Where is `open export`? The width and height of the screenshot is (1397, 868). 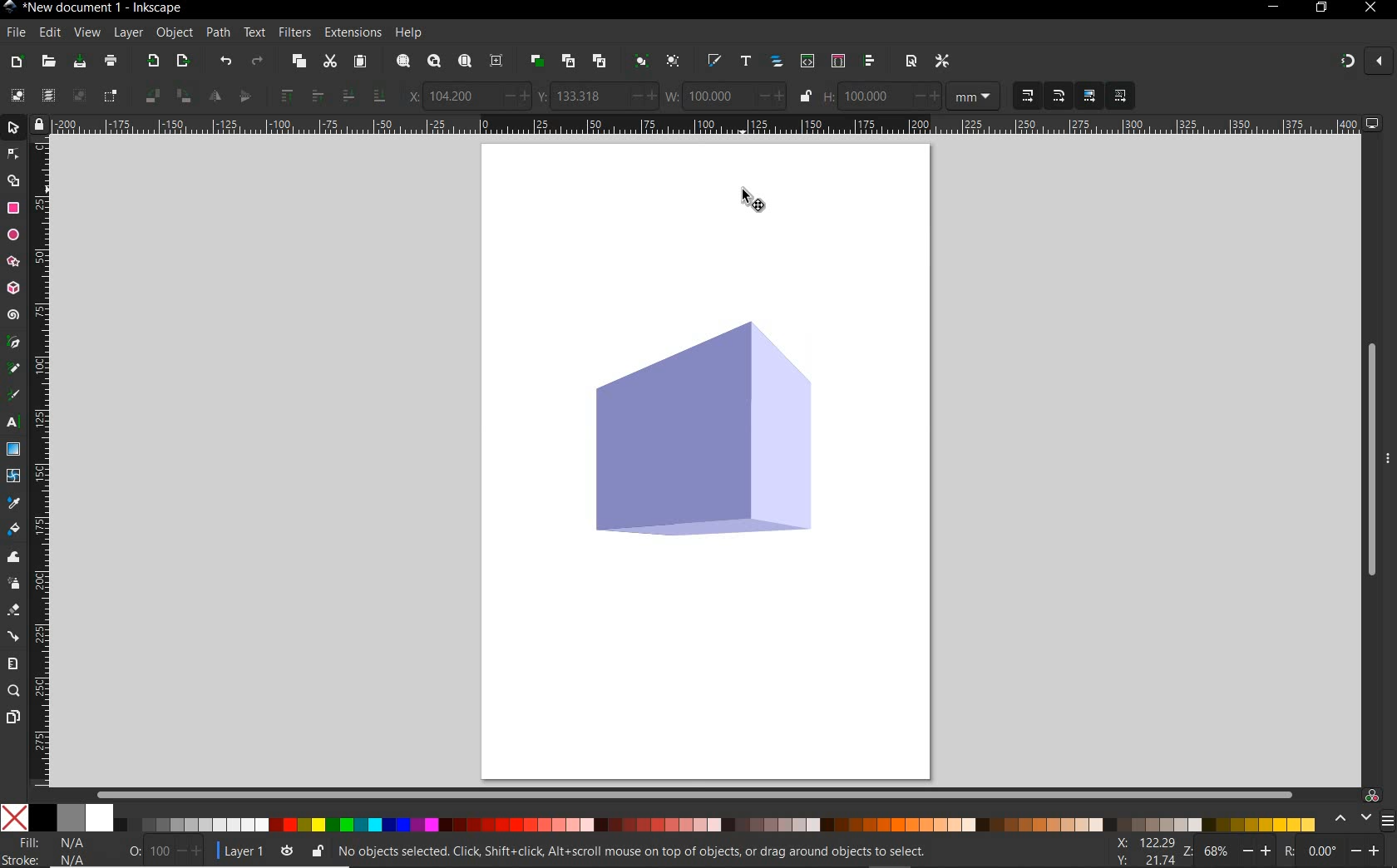 open export is located at coordinates (182, 60).